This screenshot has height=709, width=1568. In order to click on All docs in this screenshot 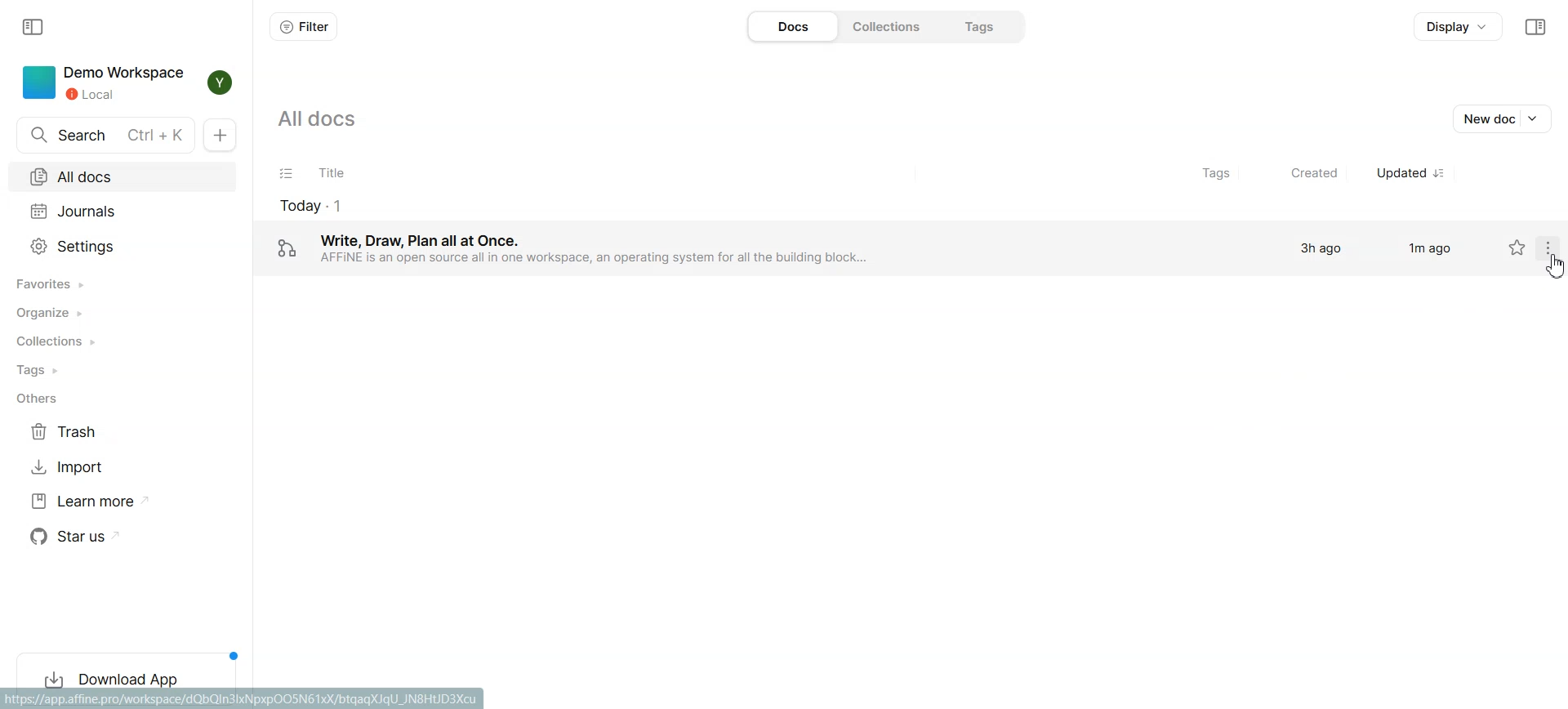, I will do `click(325, 117)`.